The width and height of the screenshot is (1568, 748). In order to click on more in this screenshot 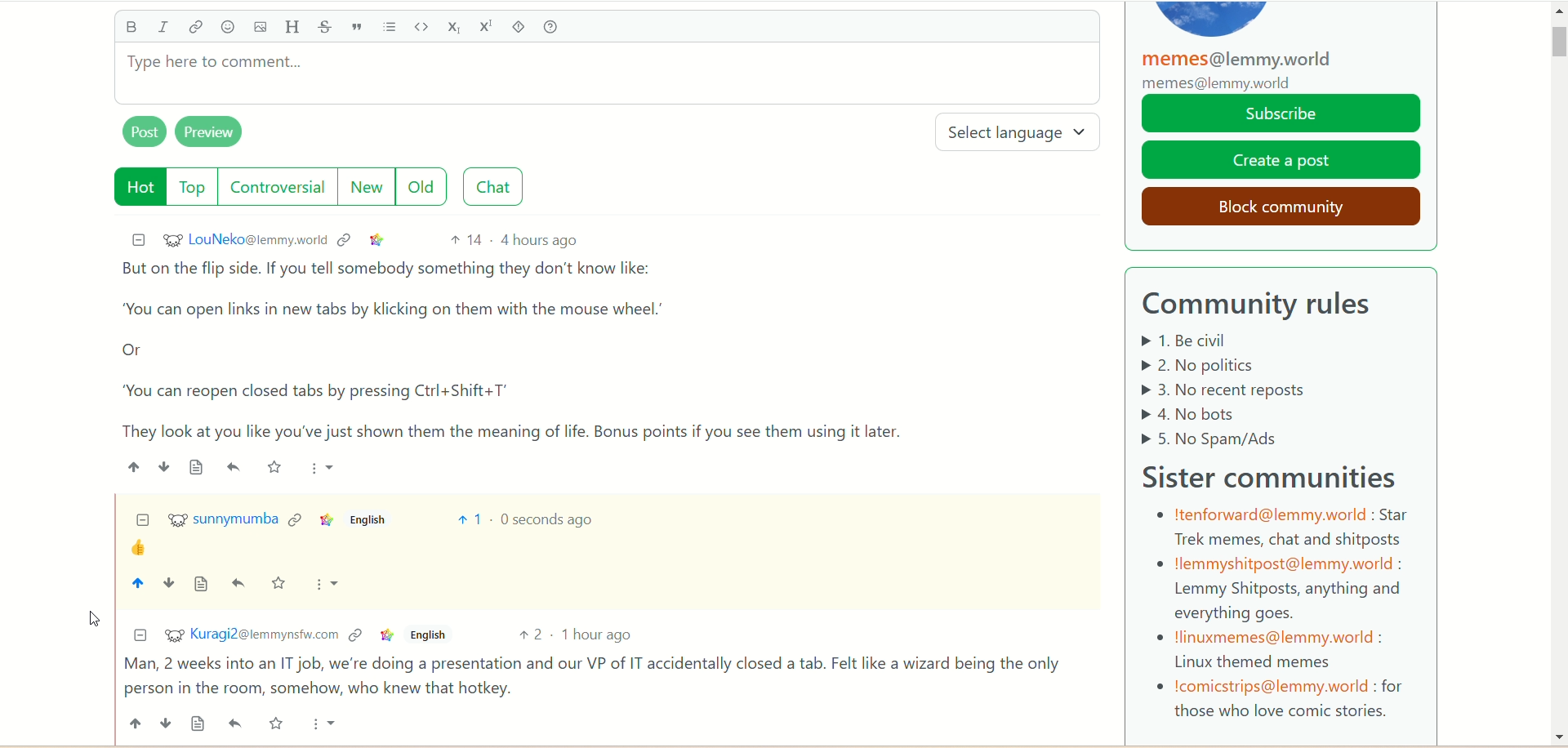, I will do `click(326, 723)`.